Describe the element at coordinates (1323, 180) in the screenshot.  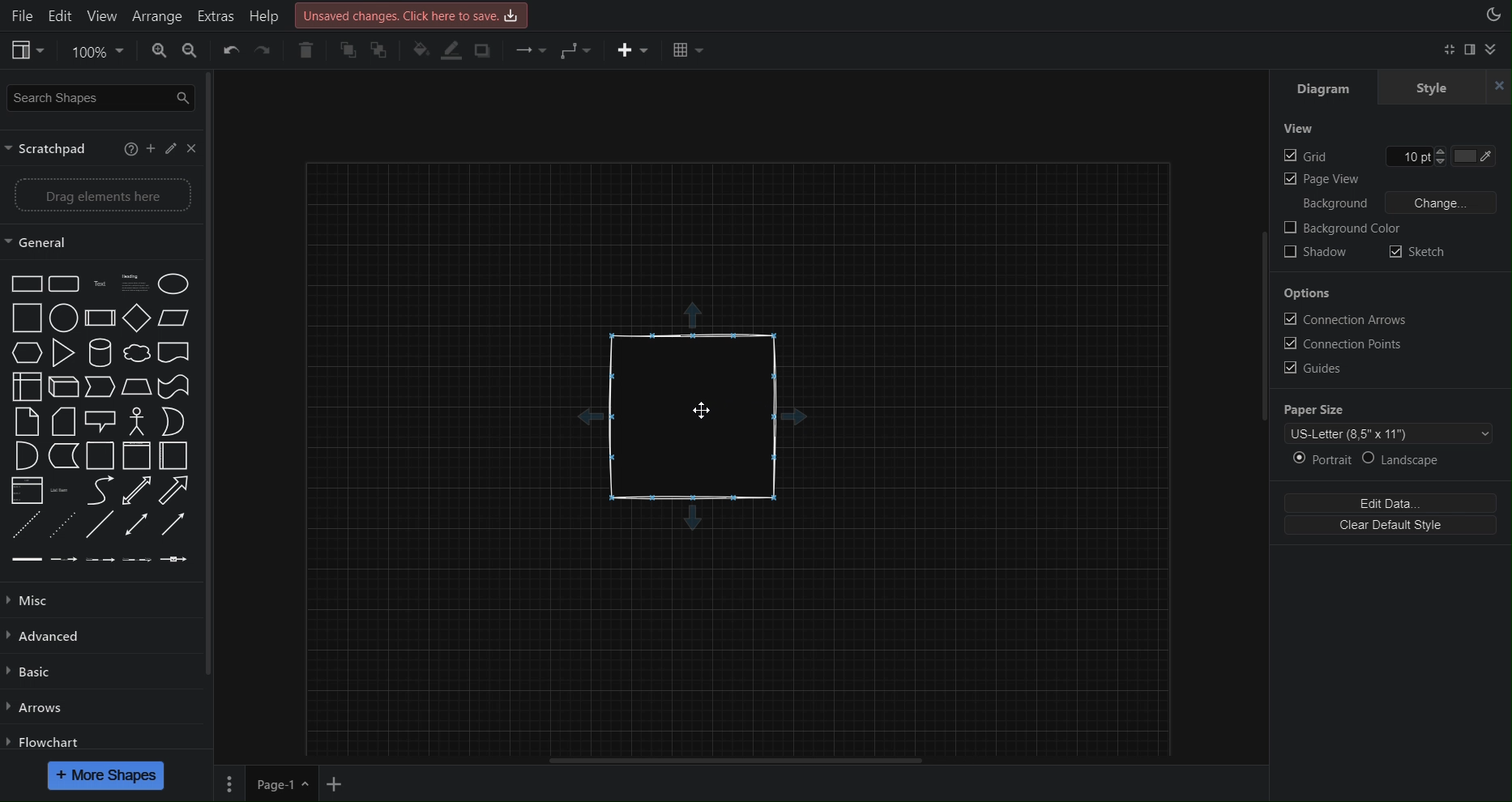
I see `Page View` at that location.